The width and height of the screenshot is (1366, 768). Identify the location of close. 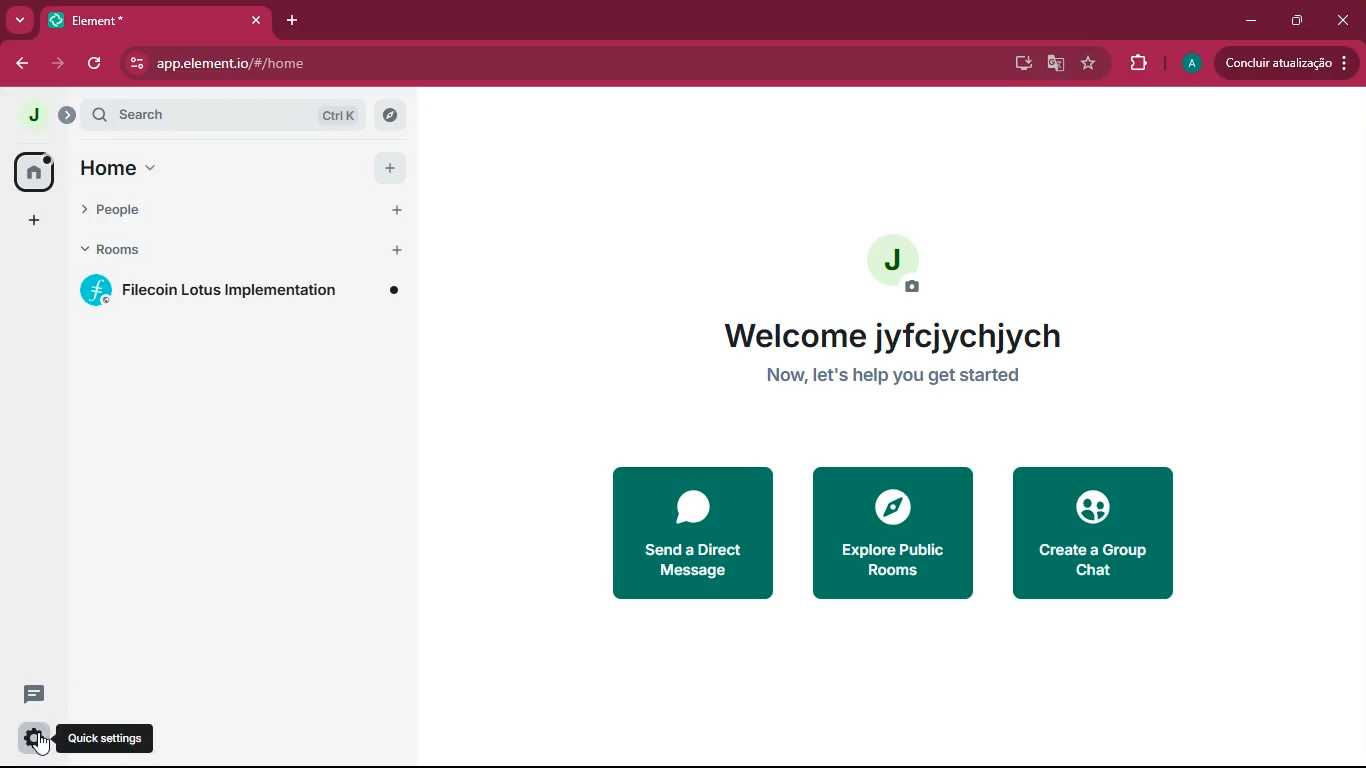
(1346, 19).